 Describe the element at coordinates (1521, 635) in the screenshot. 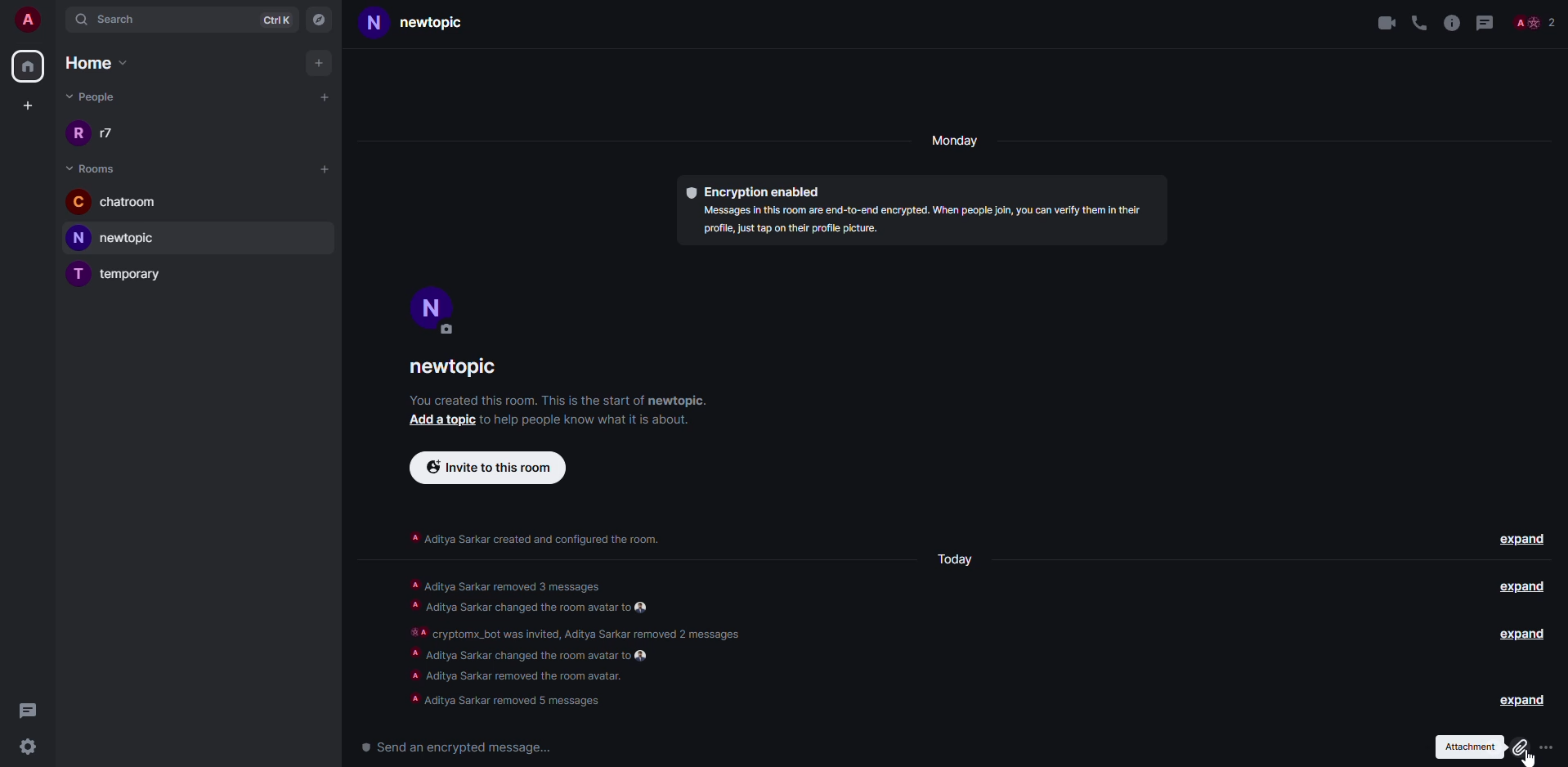

I see `expand` at that location.